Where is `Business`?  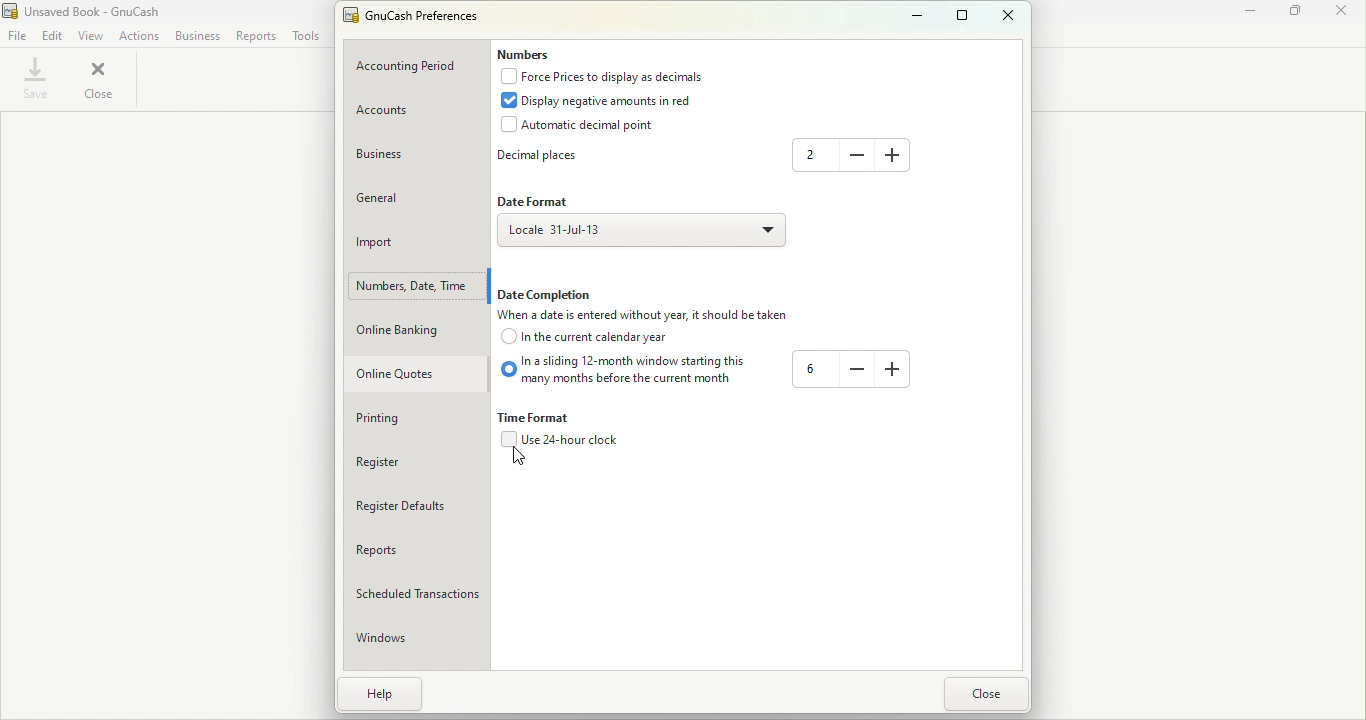
Business is located at coordinates (413, 150).